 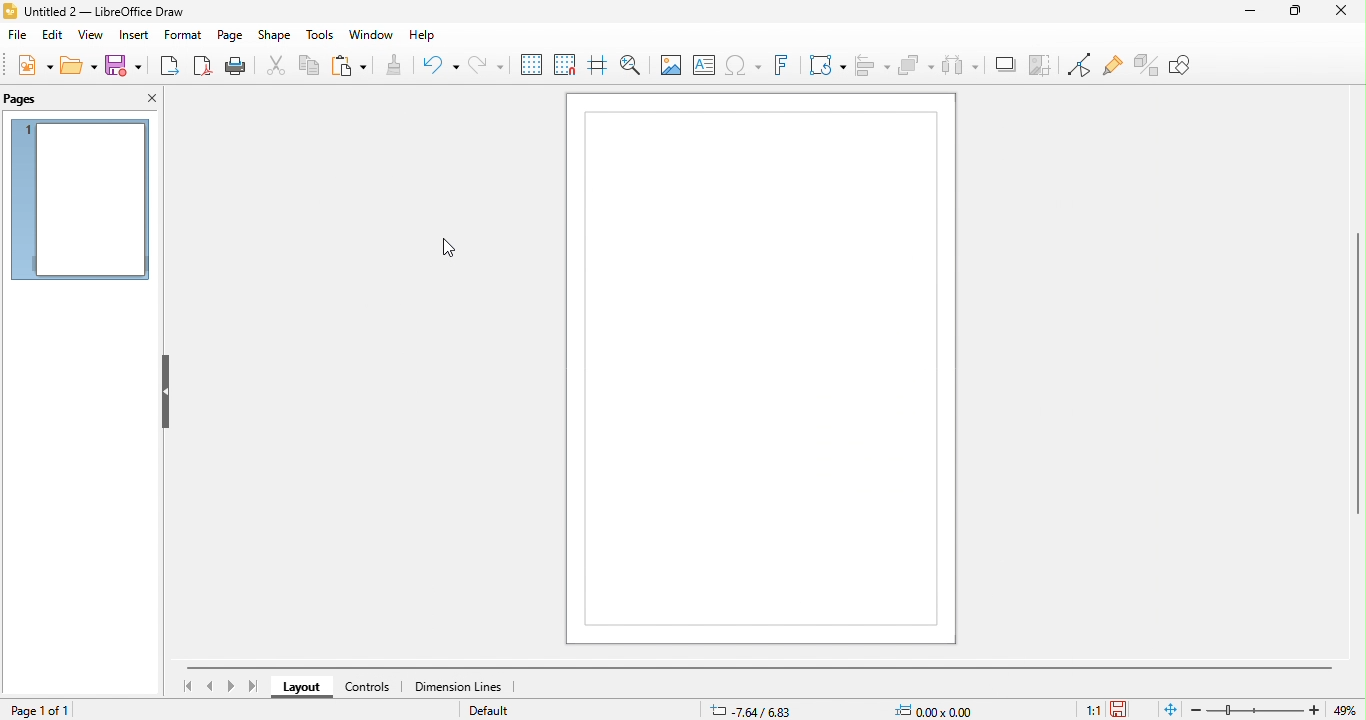 What do you see at coordinates (960, 66) in the screenshot?
I see `select atleast 3 objects to attributes` at bounding box center [960, 66].